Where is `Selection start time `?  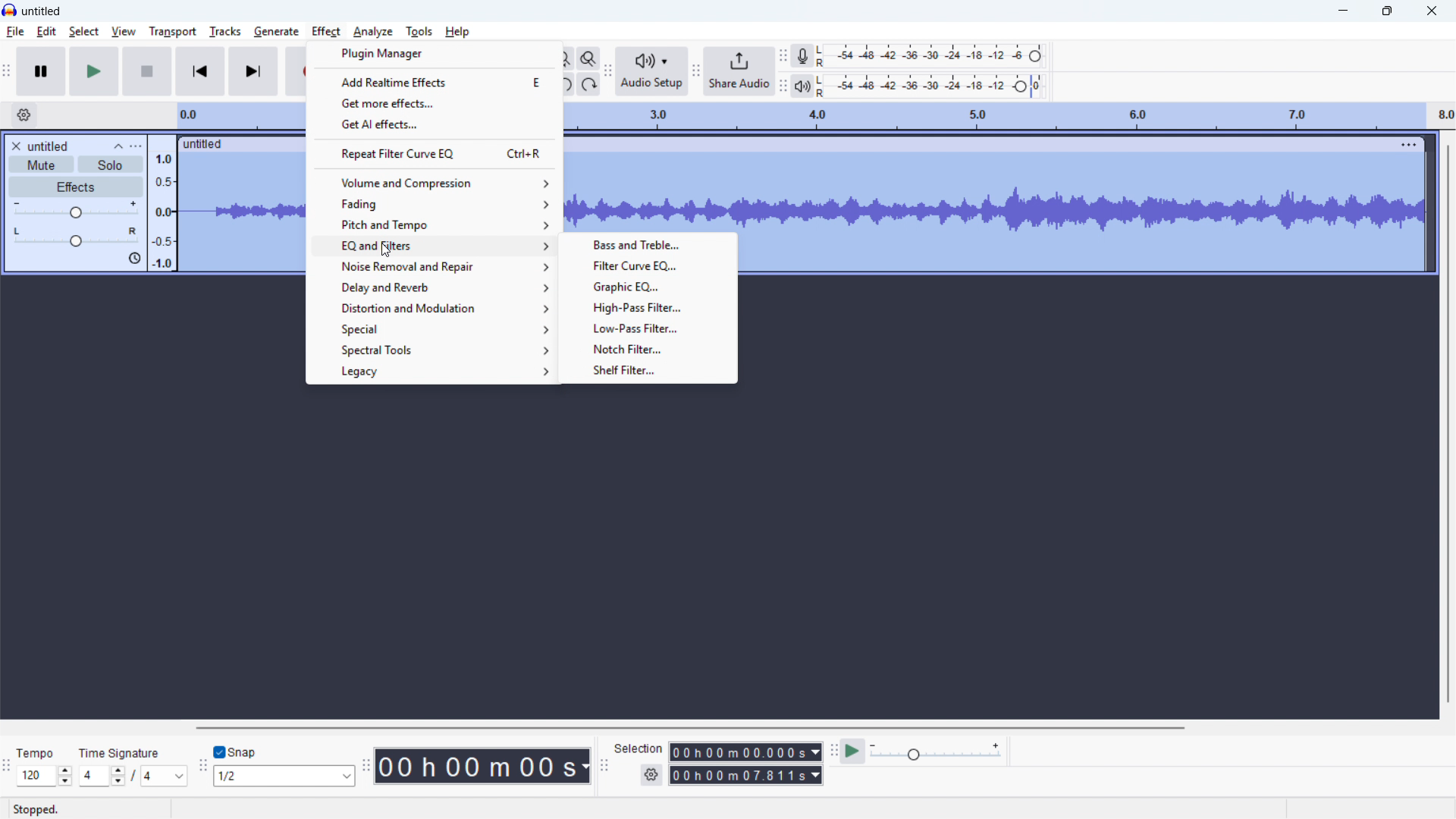
Selection start time  is located at coordinates (745, 752).